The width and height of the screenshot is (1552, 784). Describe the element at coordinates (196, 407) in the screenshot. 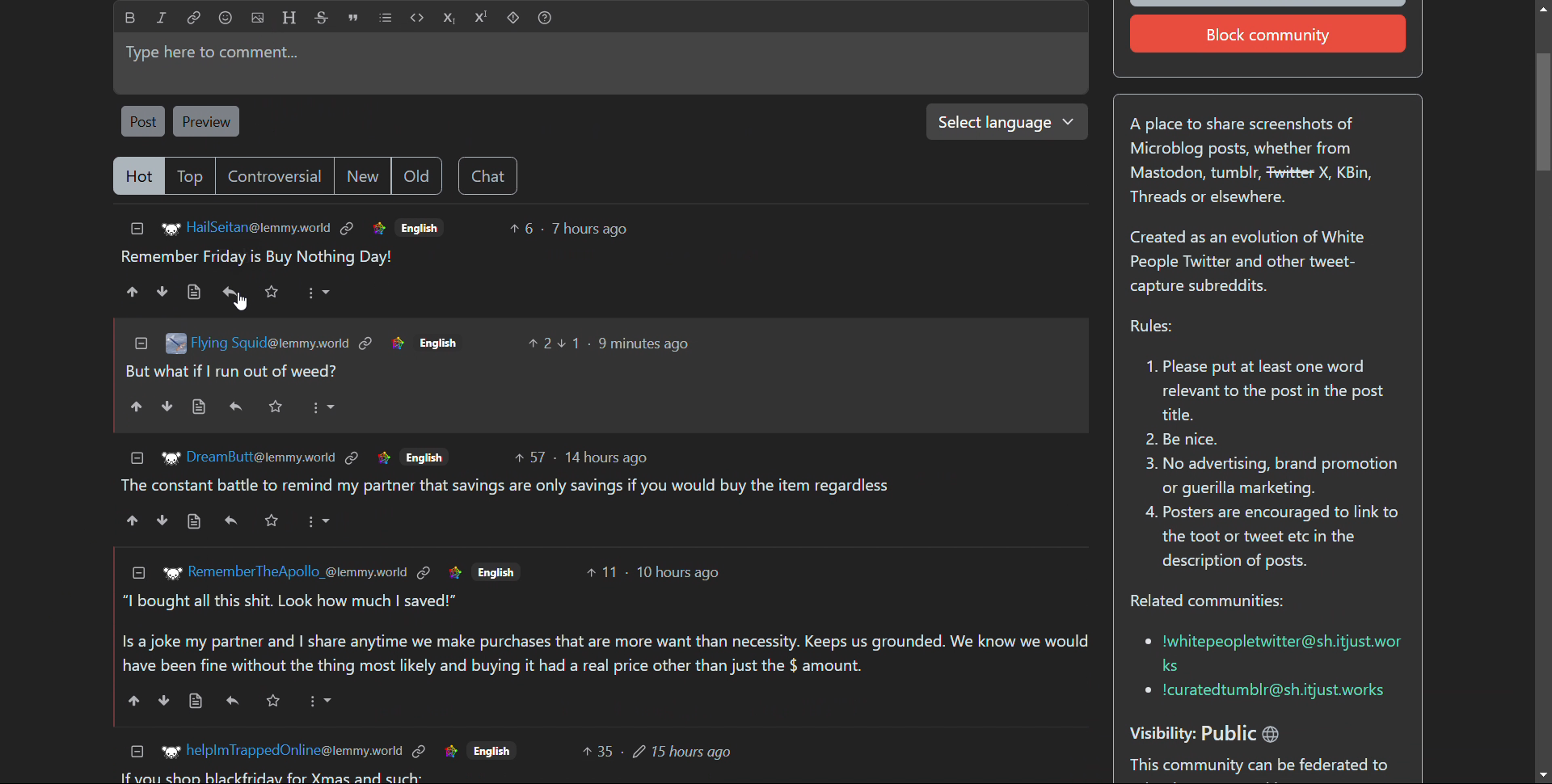

I see `view source` at that location.